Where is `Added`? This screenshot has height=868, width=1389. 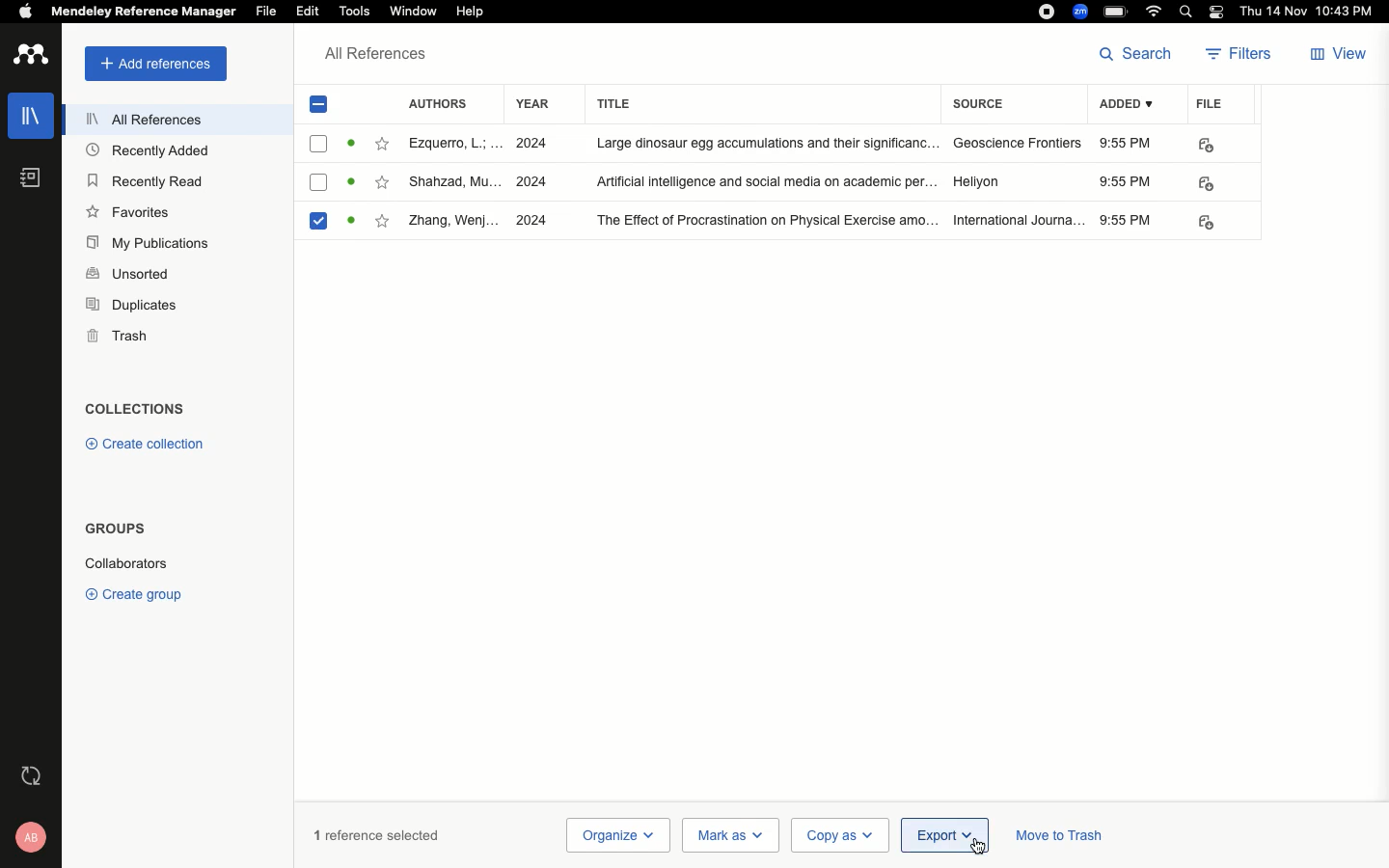
Added is located at coordinates (1131, 106).